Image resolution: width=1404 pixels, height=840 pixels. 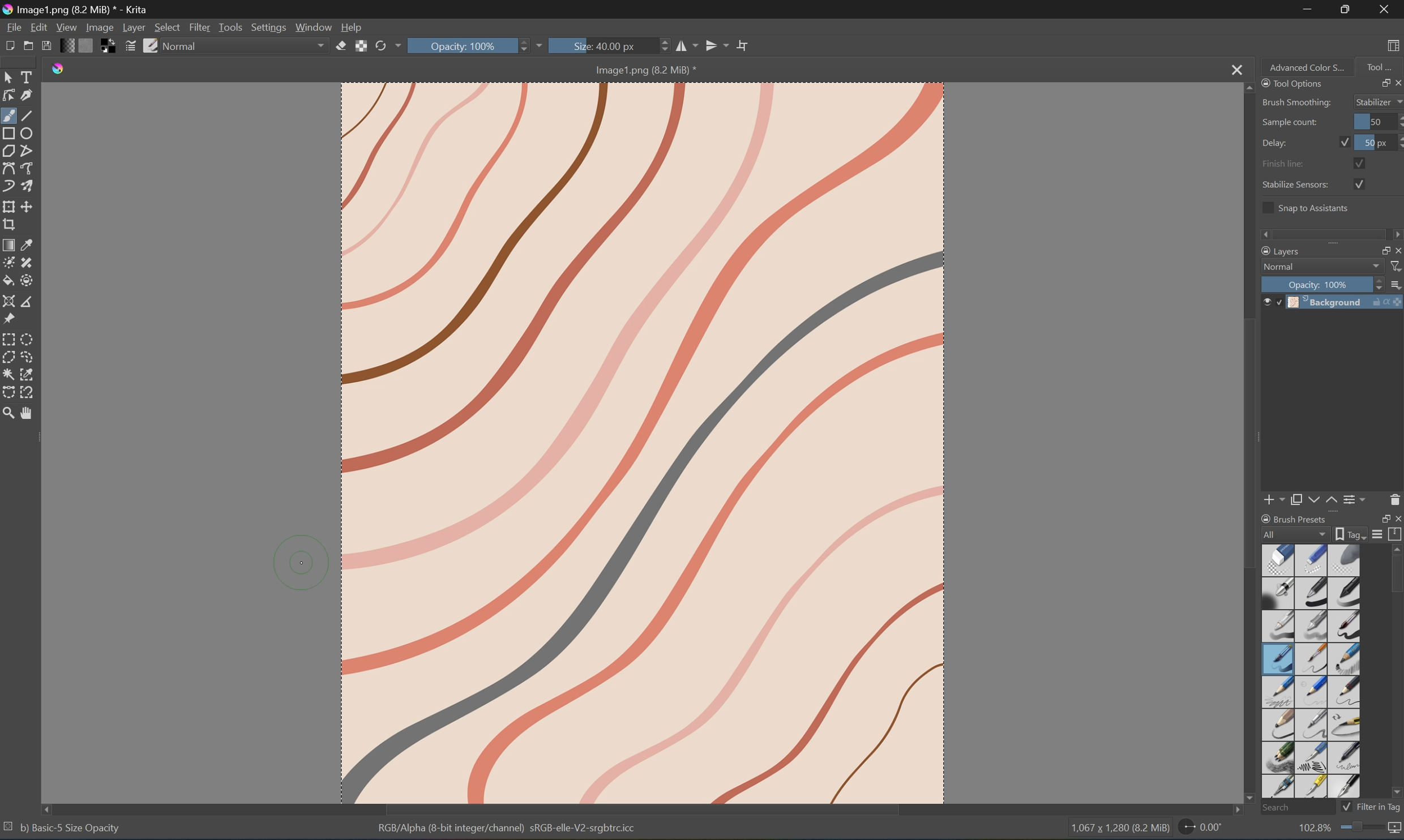 I want to click on Drop Down, so click(x=545, y=44).